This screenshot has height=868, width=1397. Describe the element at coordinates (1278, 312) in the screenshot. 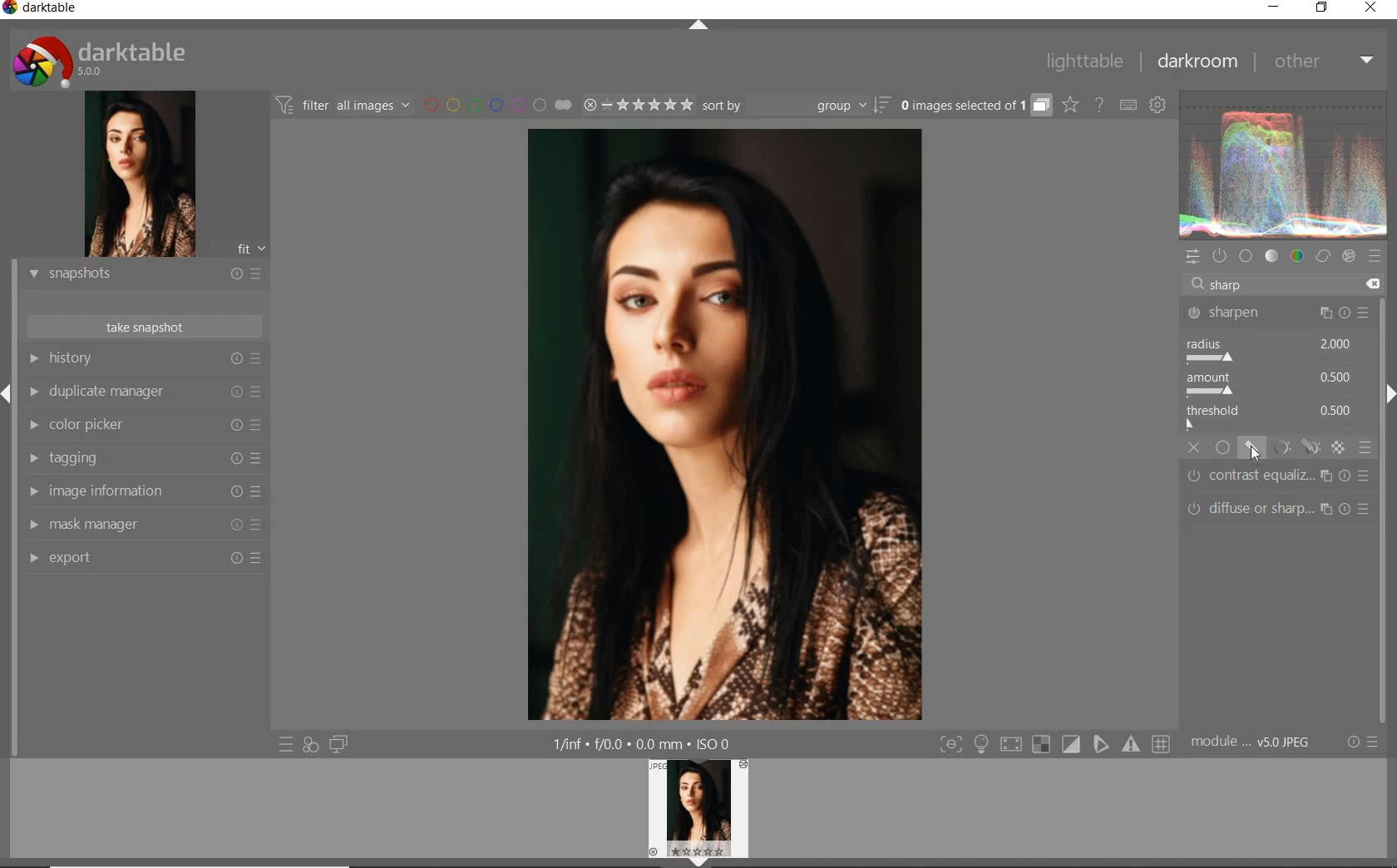

I see `sharpen` at that location.